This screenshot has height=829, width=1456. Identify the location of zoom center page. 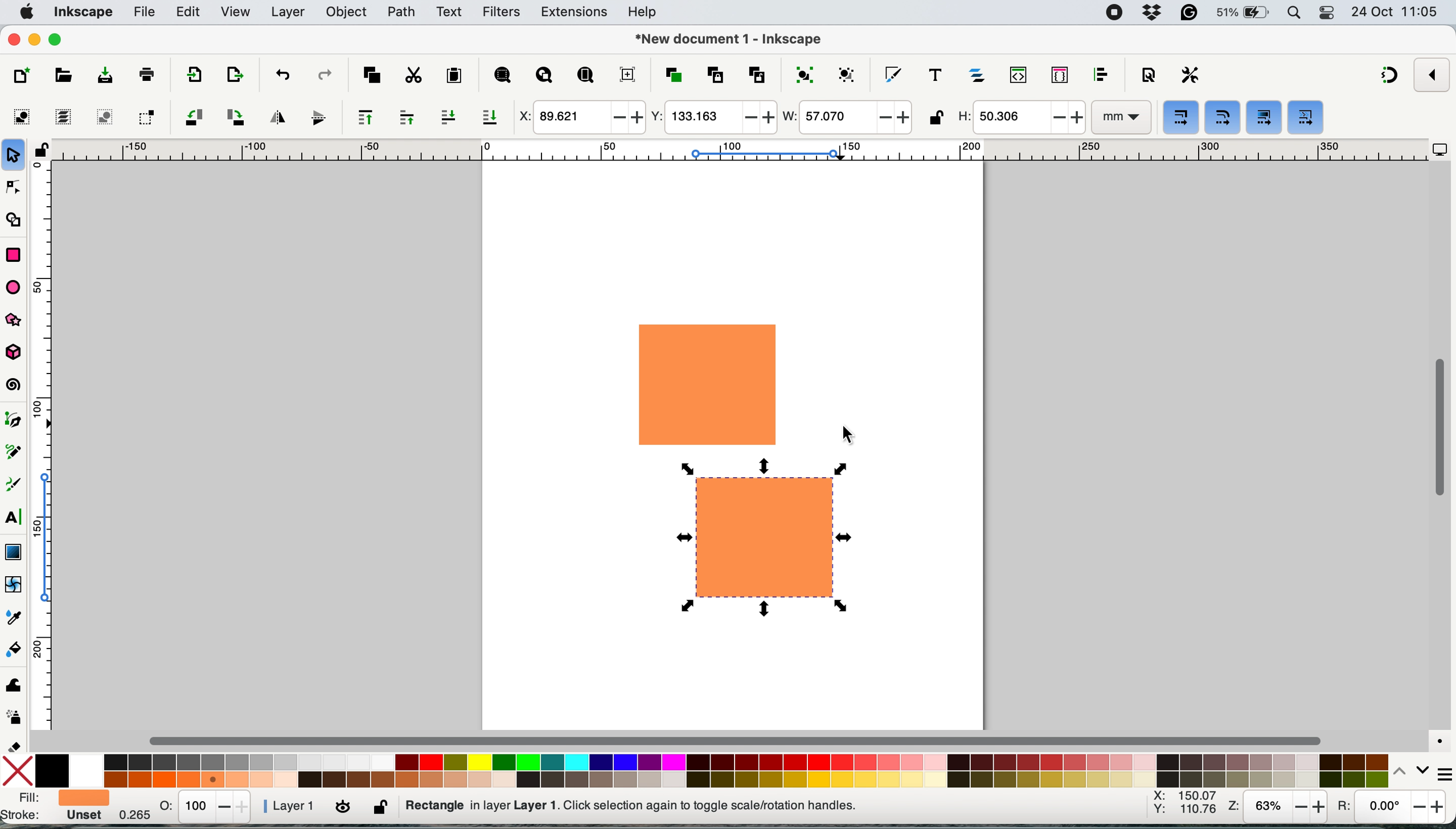
(627, 74).